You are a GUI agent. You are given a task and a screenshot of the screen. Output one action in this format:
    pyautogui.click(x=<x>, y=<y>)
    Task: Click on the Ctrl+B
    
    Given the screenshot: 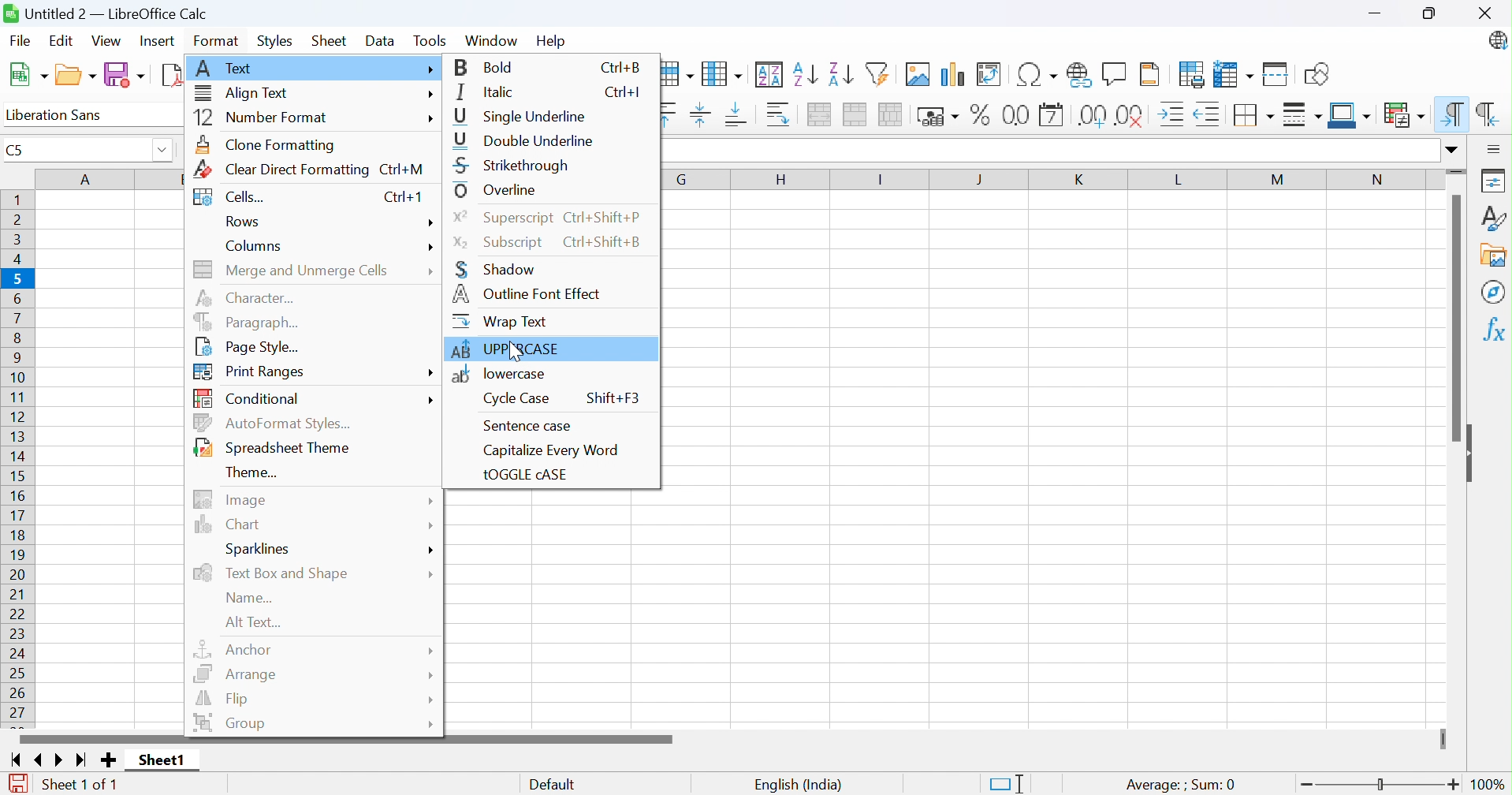 What is the action you would take?
    pyautogui.click(x=619, y=67)
    